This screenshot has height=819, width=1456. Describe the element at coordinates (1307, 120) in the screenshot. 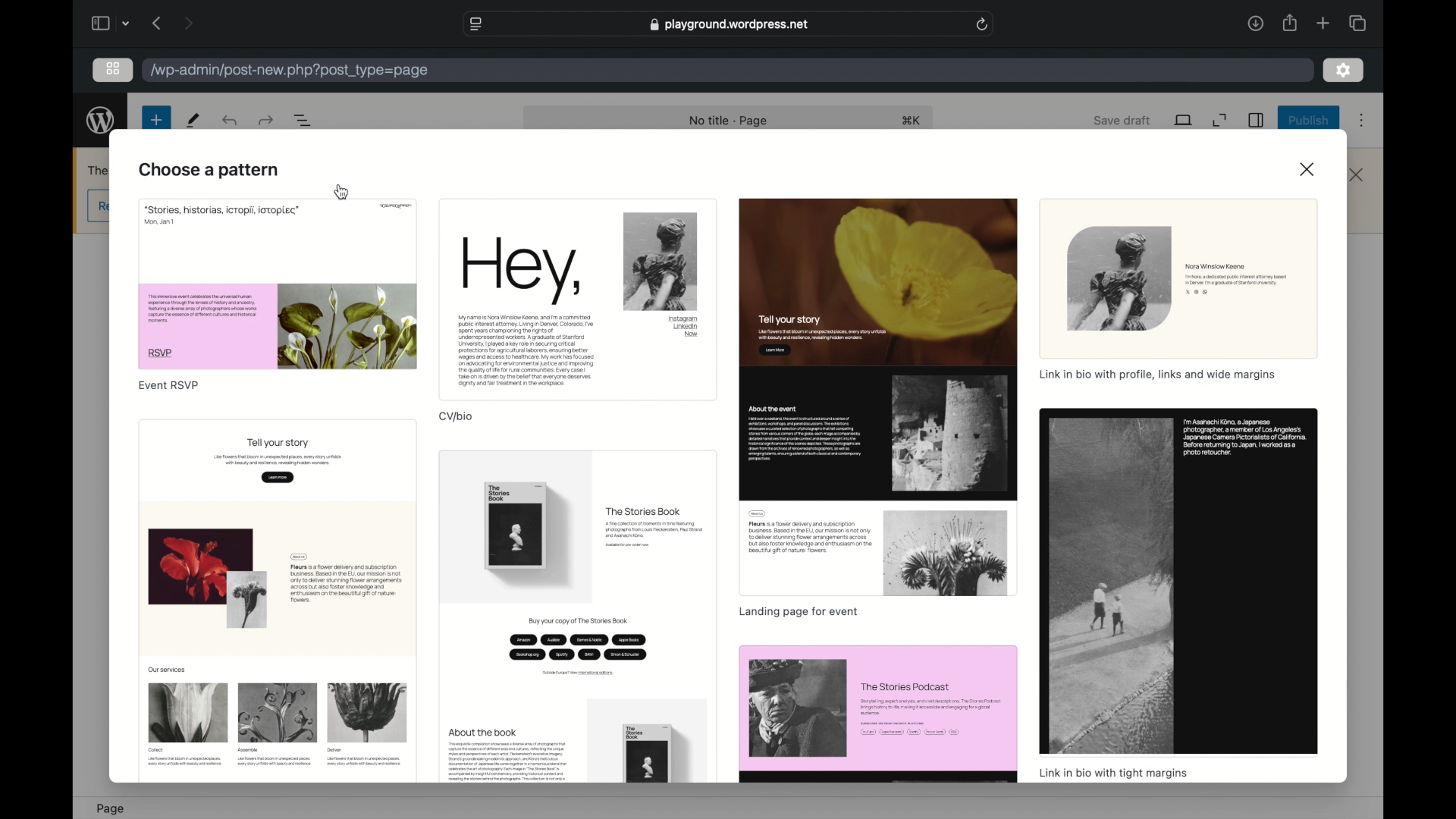

I see `publish` at that location.